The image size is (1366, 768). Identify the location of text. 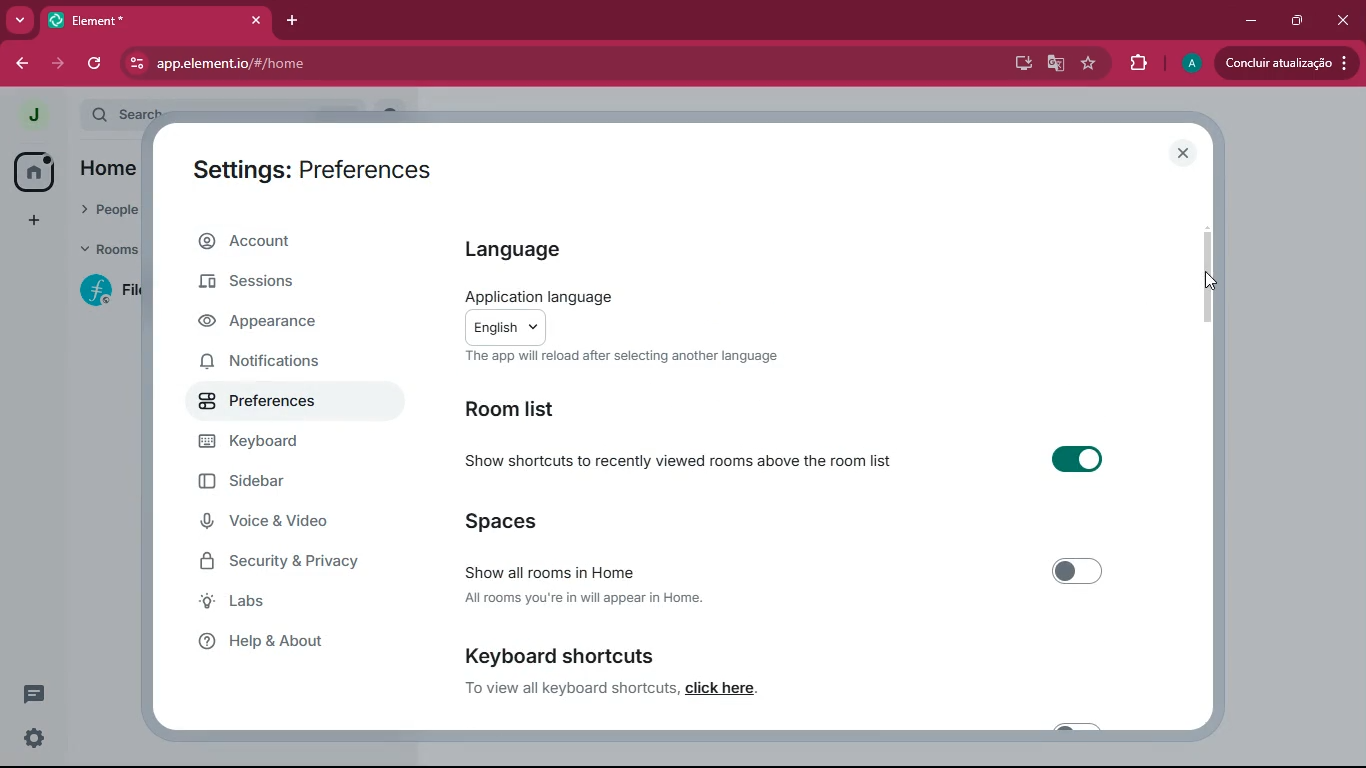
(588, 597).